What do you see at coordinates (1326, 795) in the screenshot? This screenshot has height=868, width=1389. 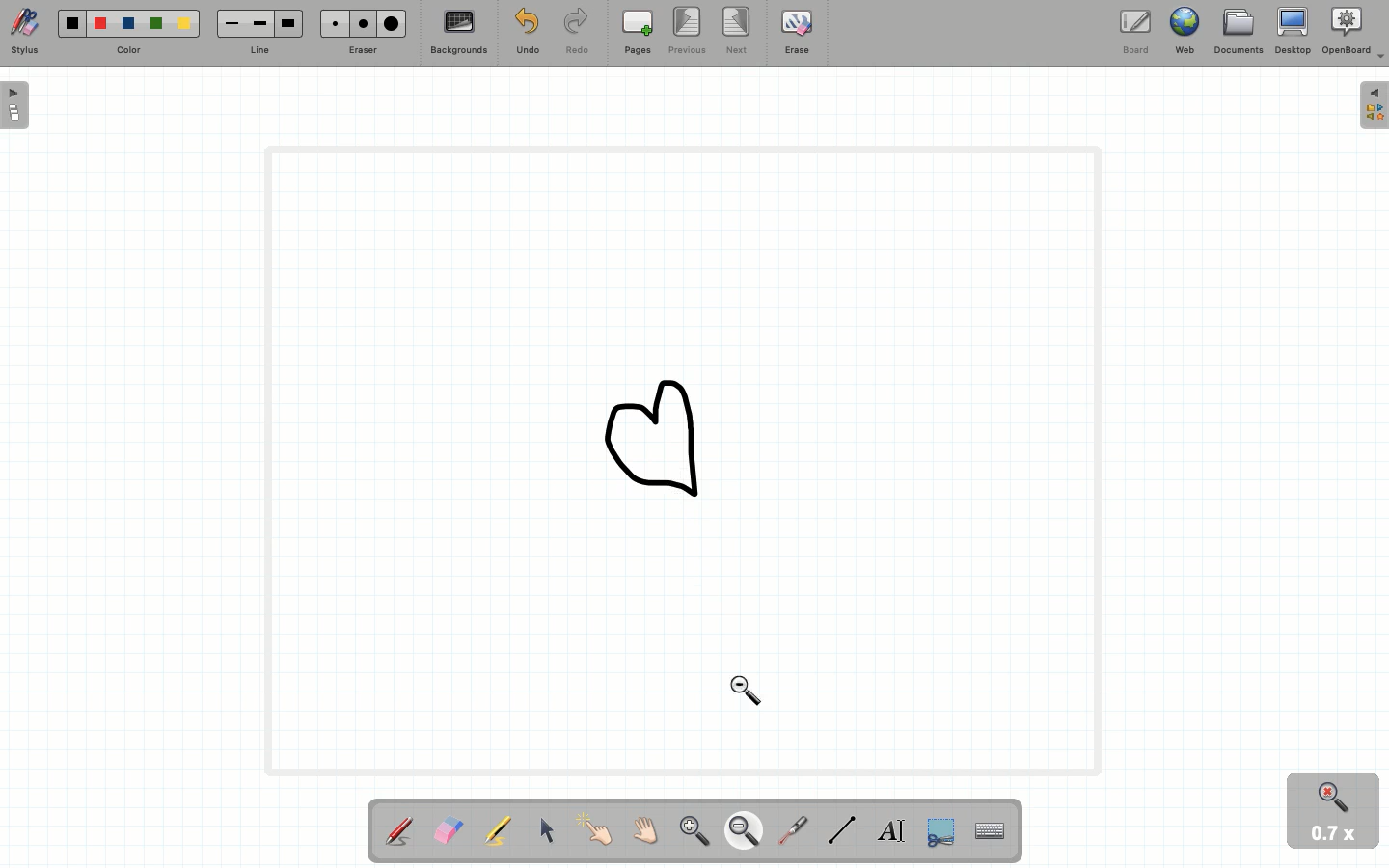 I see `Zoom in` at bounding box center [1326, 795].